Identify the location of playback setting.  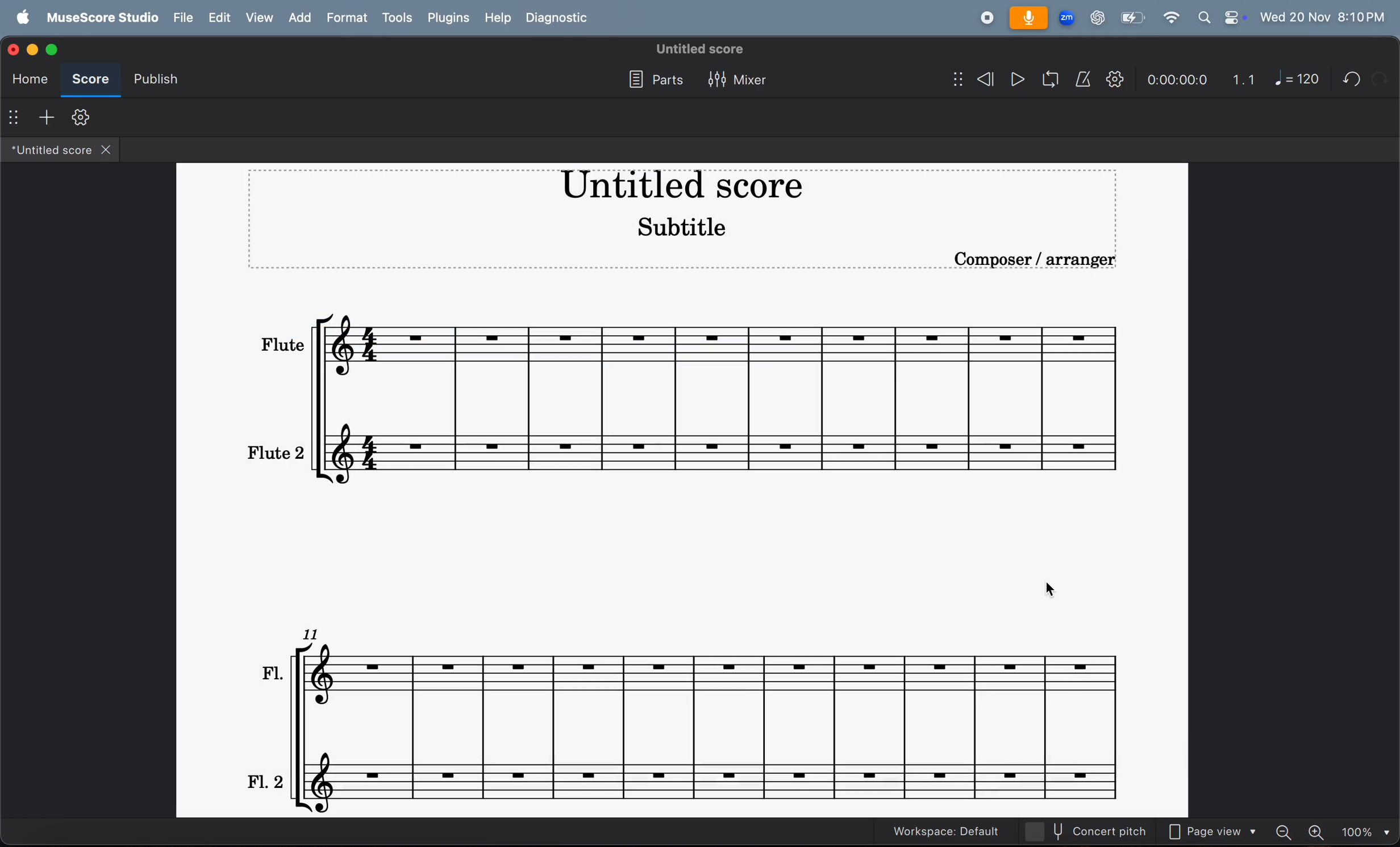
(1115, 81).